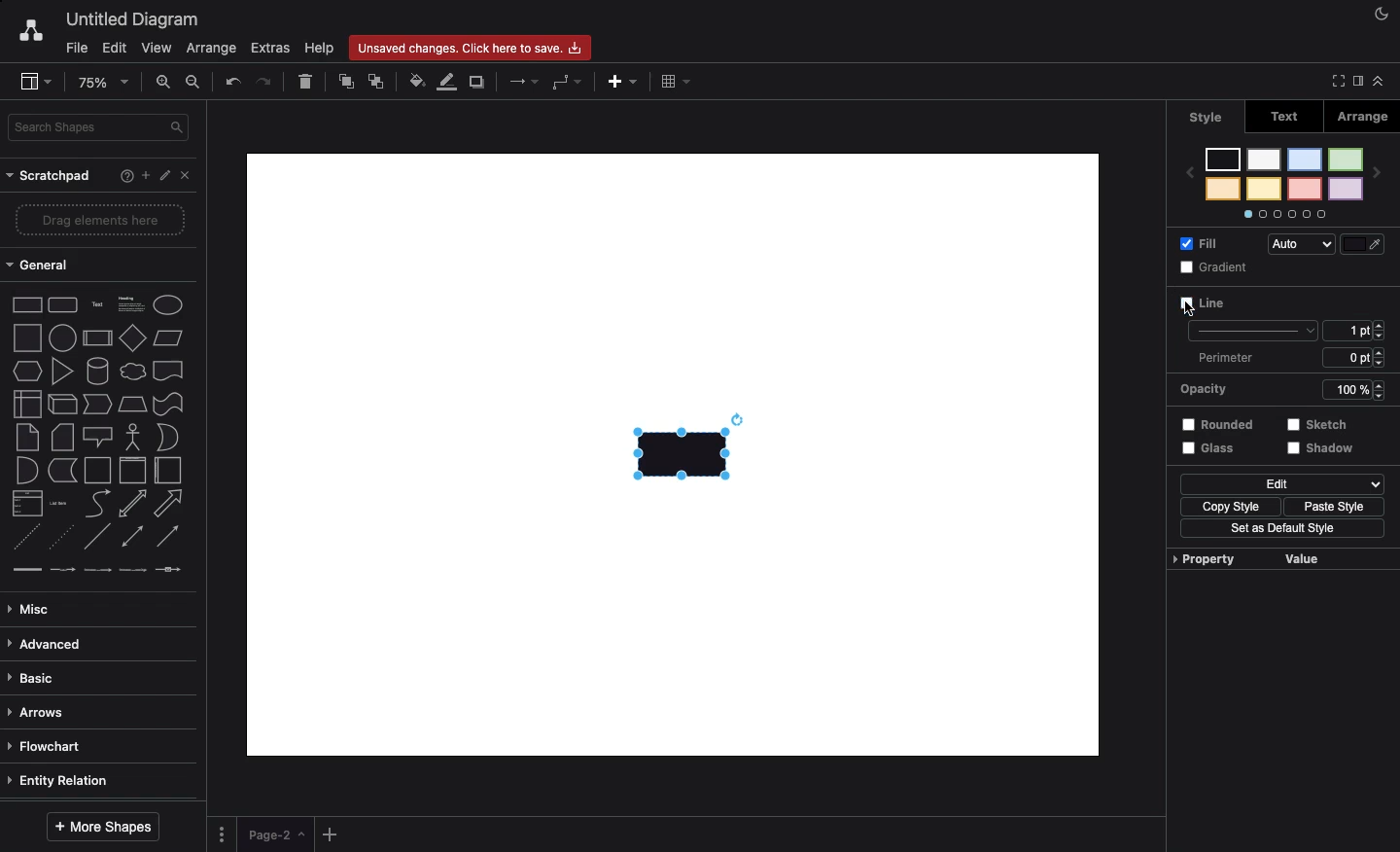  Describe the element at coordinates (61, 370) in the screenshot. I see `triangle` at that location.